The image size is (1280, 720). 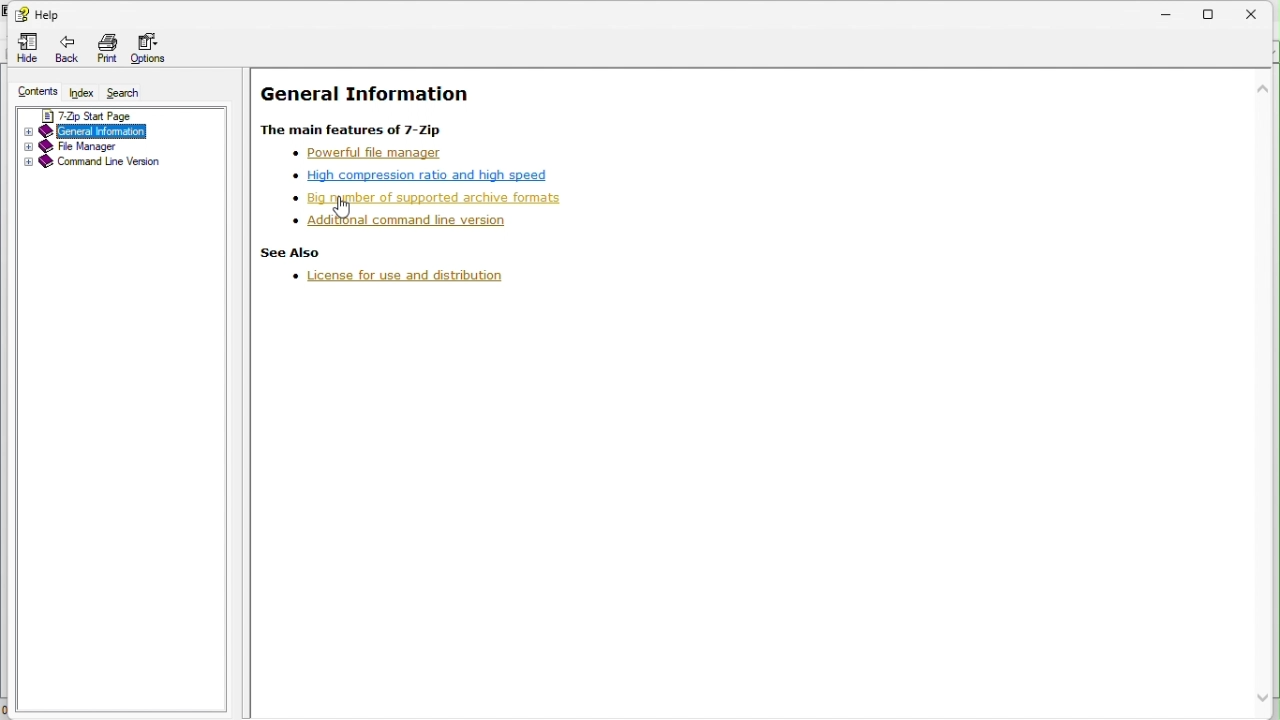 What do you see at coordinates (396, 152) in the screenshot?
I see `powerful file manager` at bounding box center [396, 152].